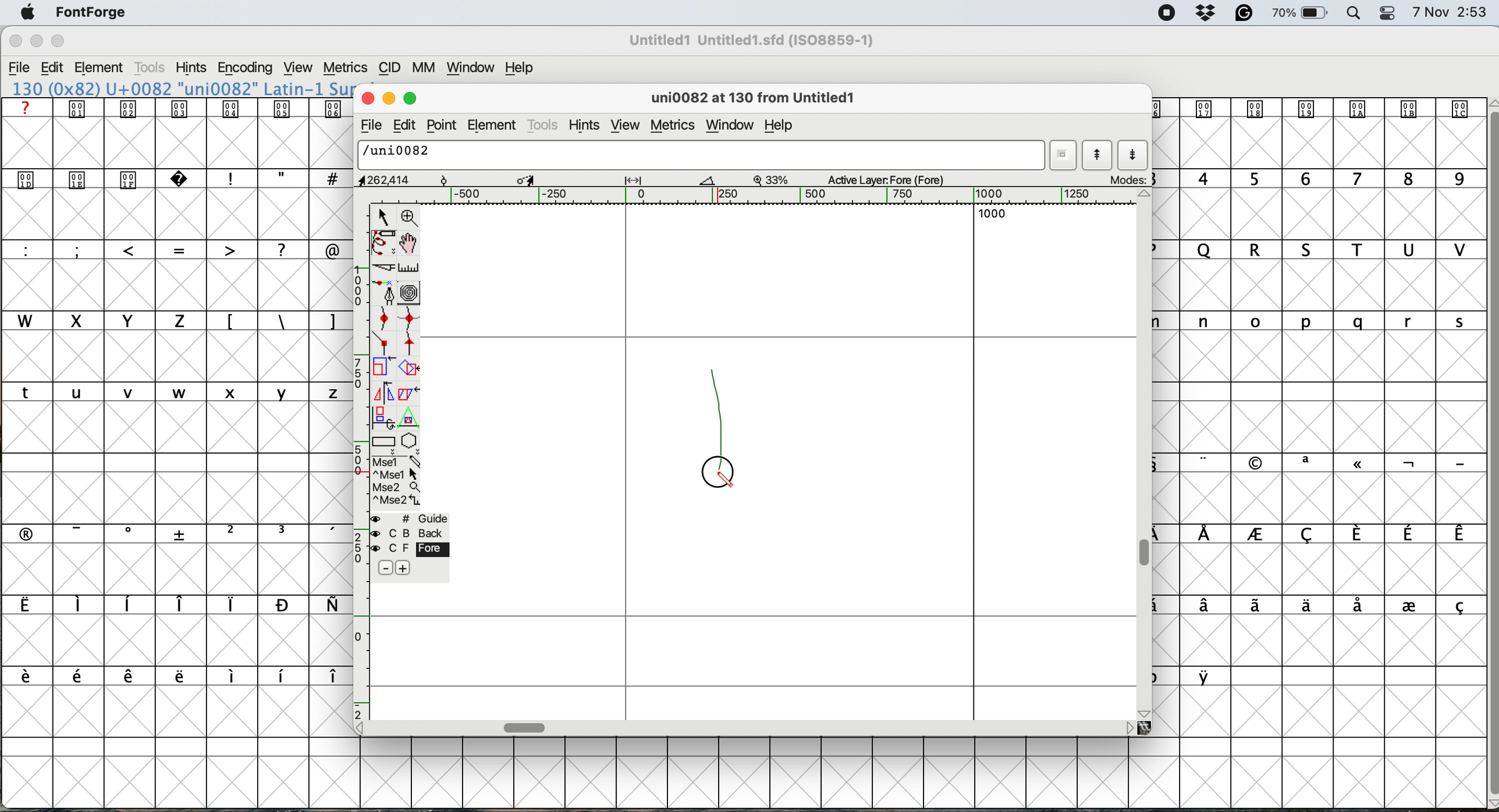  I want to click on special characters, so click(169, 249).